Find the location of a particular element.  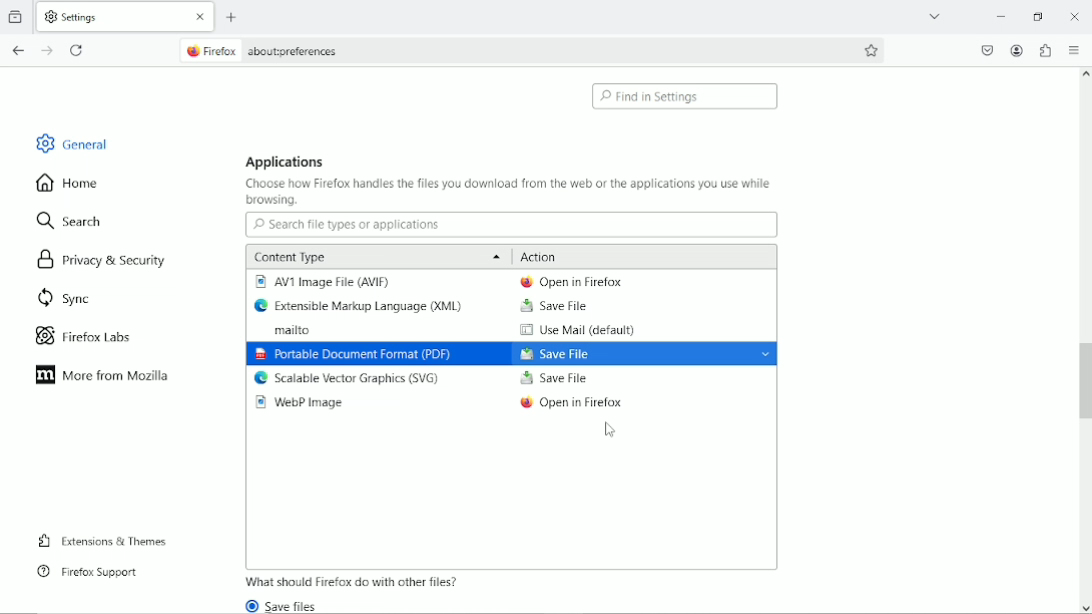

Portable Document File is located at coordinates (352, 355).